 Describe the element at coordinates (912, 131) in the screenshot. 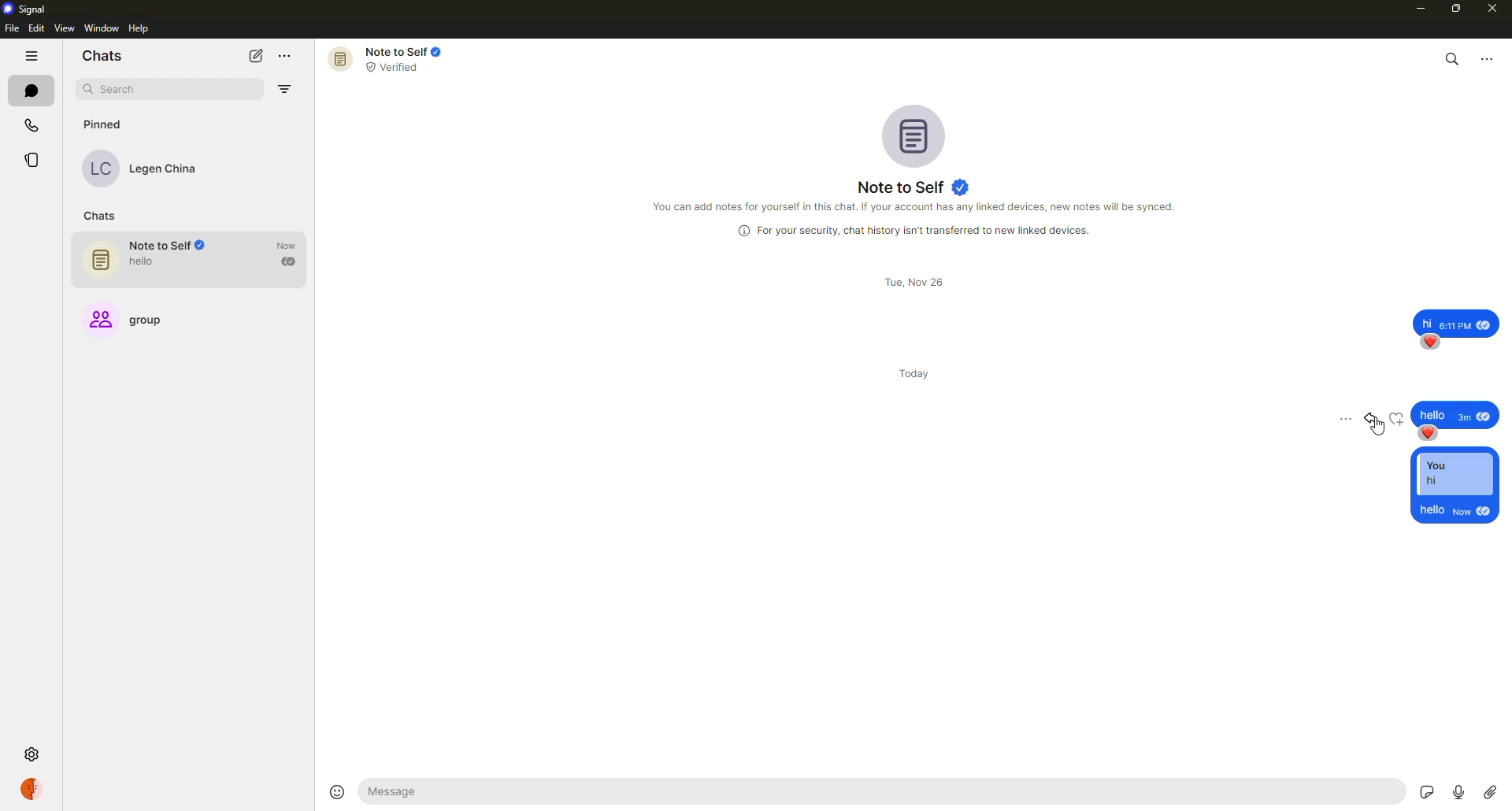

I see `profile pic` at that location.